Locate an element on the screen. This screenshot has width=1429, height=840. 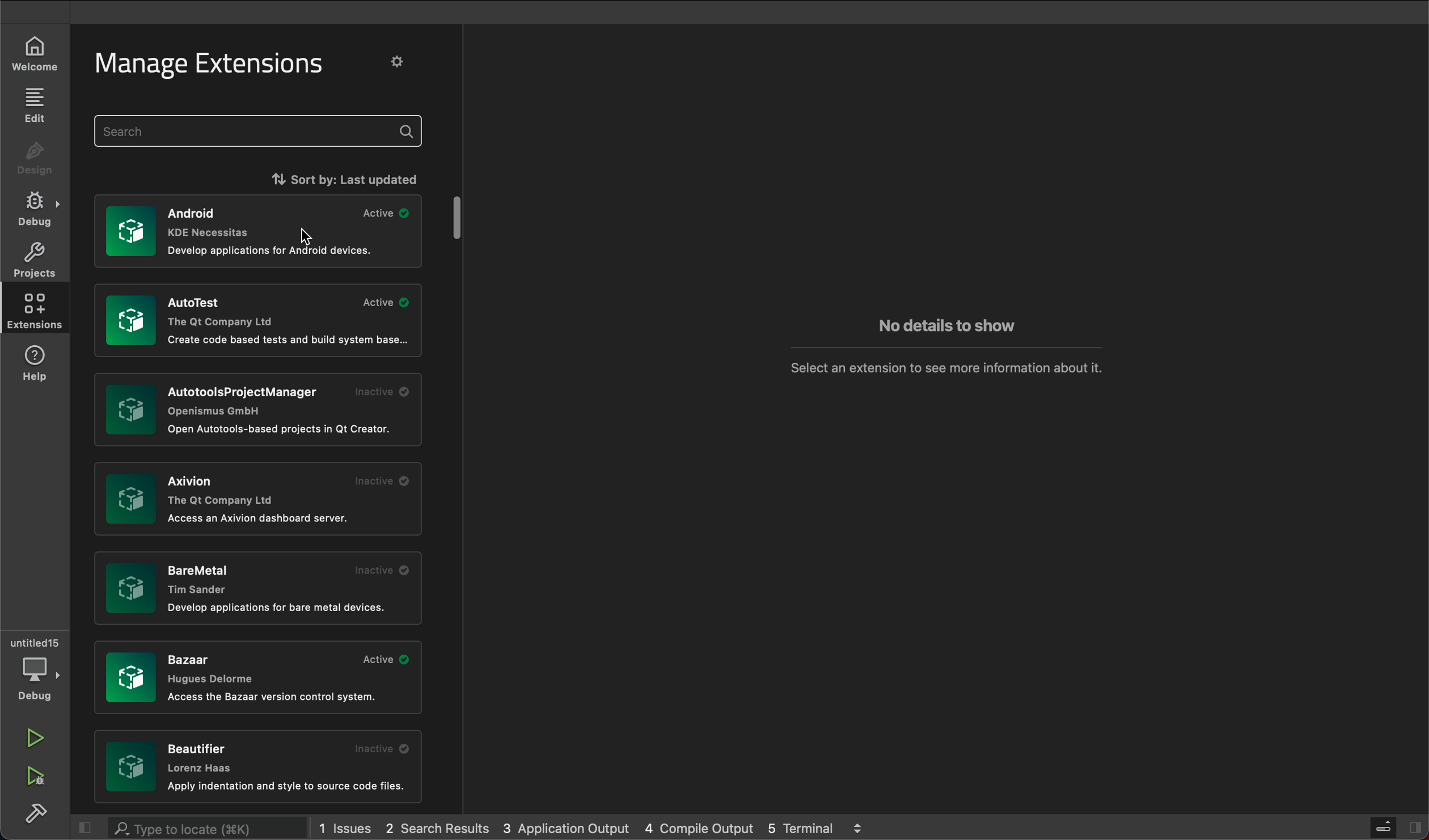
 is located at coordinates (253, 409).